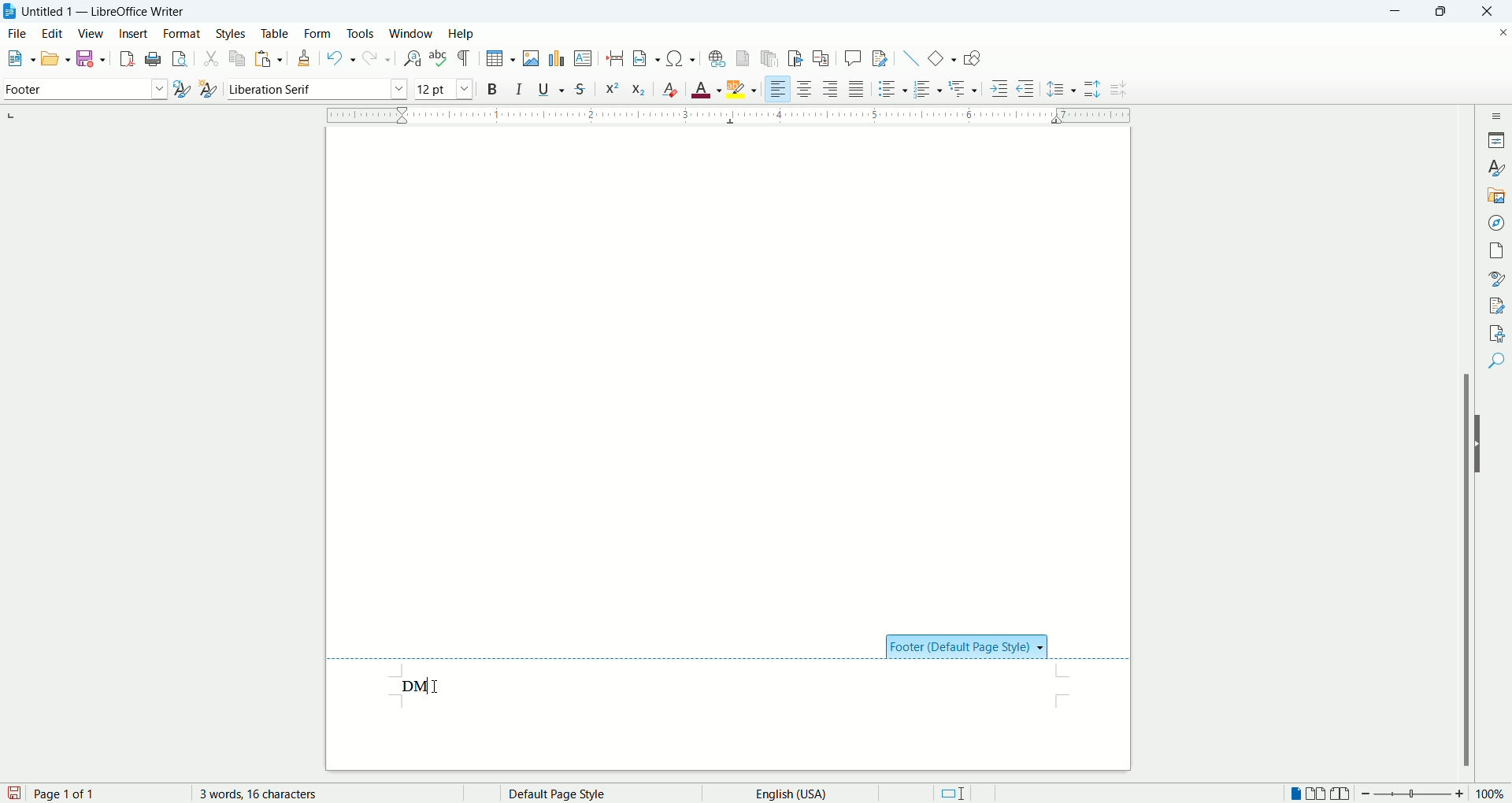 This screenshot has height=803, width=1512. What do you see at coordinates (743, 58) in the screenshot?
I see `insert footnote` at bounding box center [743, 58].